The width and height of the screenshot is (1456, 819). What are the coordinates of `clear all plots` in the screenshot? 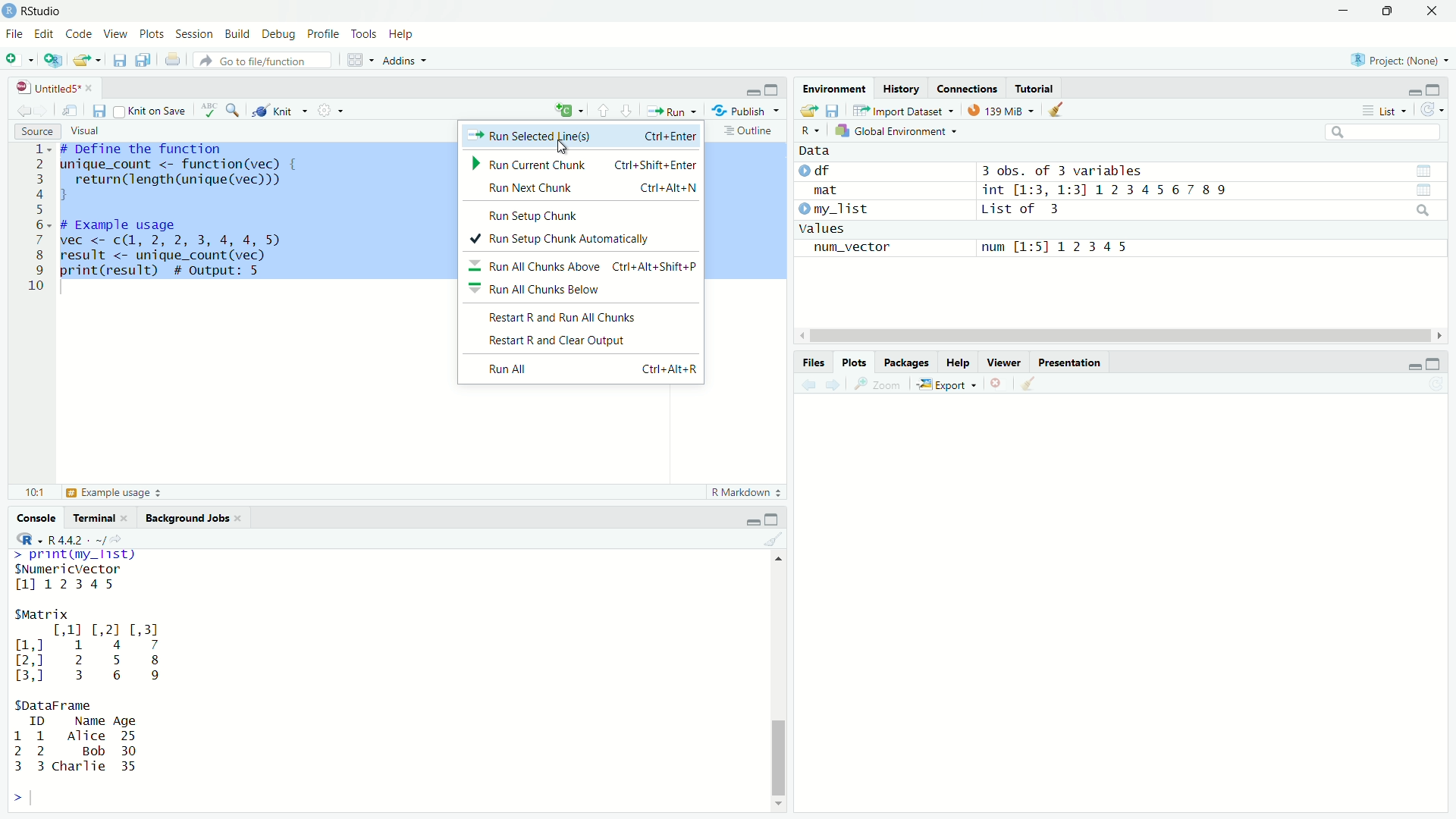 It's located at (1032, 384).